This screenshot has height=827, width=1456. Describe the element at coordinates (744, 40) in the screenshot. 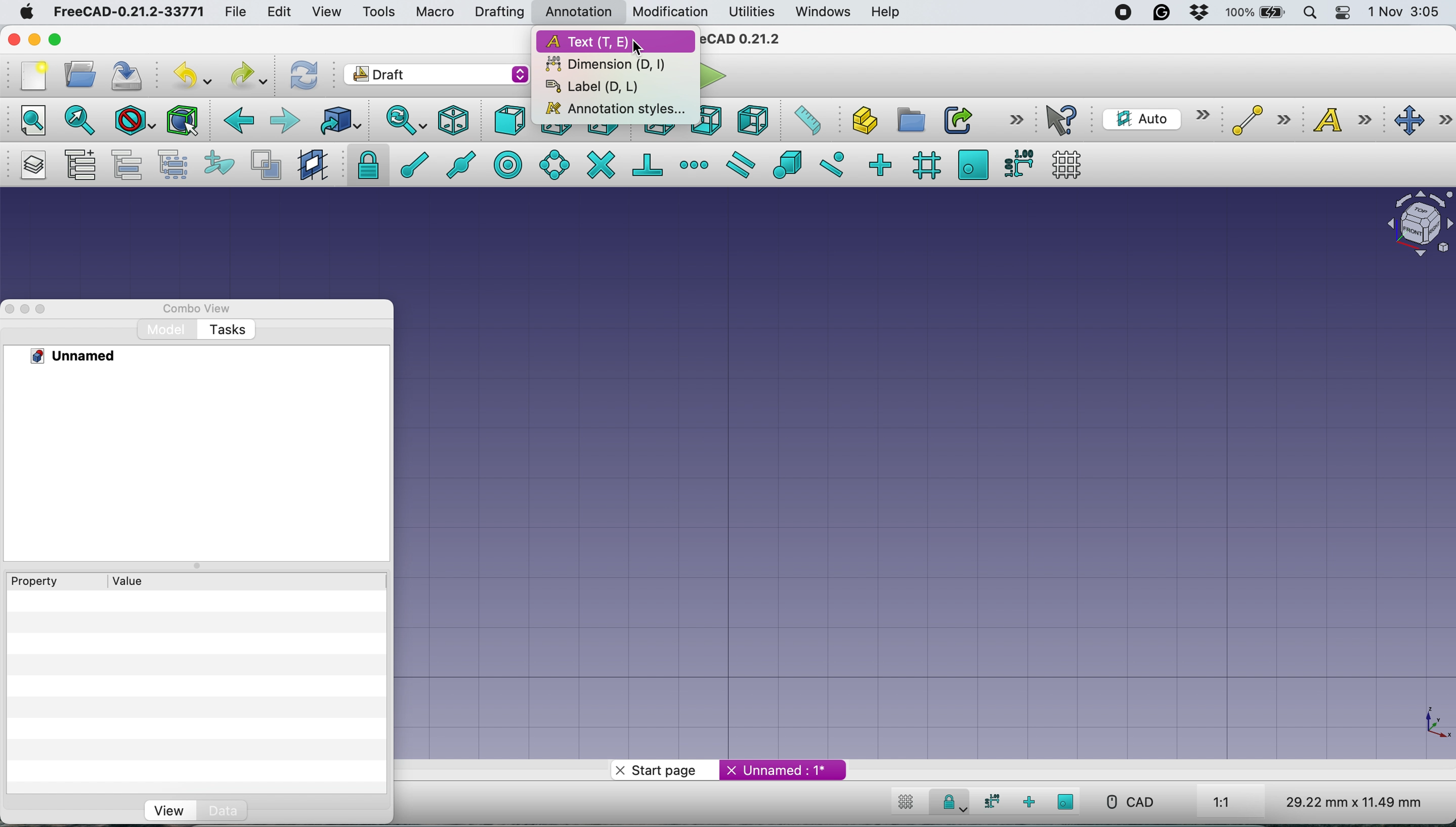

I see `freecad` at that location.